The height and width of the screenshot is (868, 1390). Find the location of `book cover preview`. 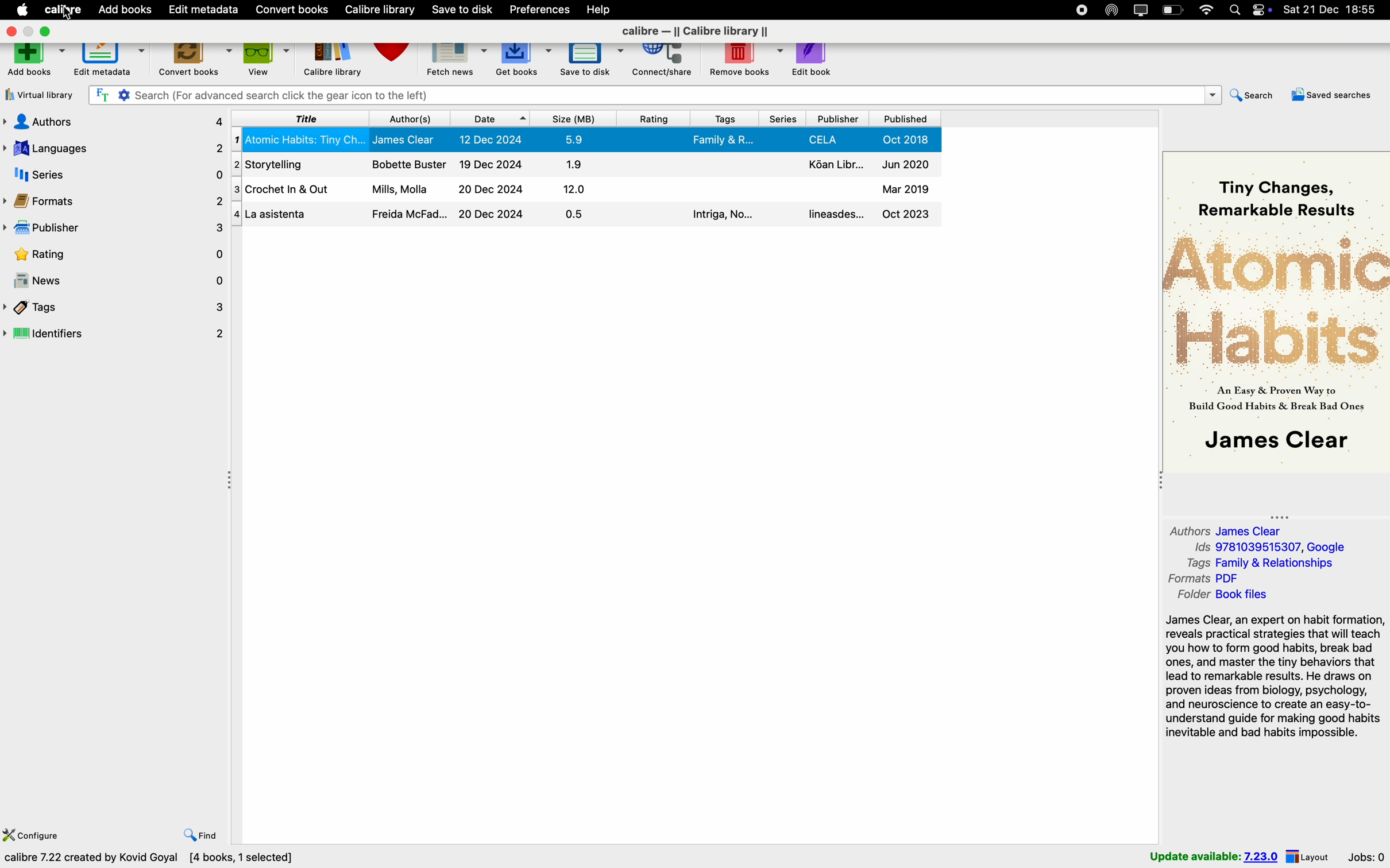

book cover preview is located at coordinates (1277, 310).